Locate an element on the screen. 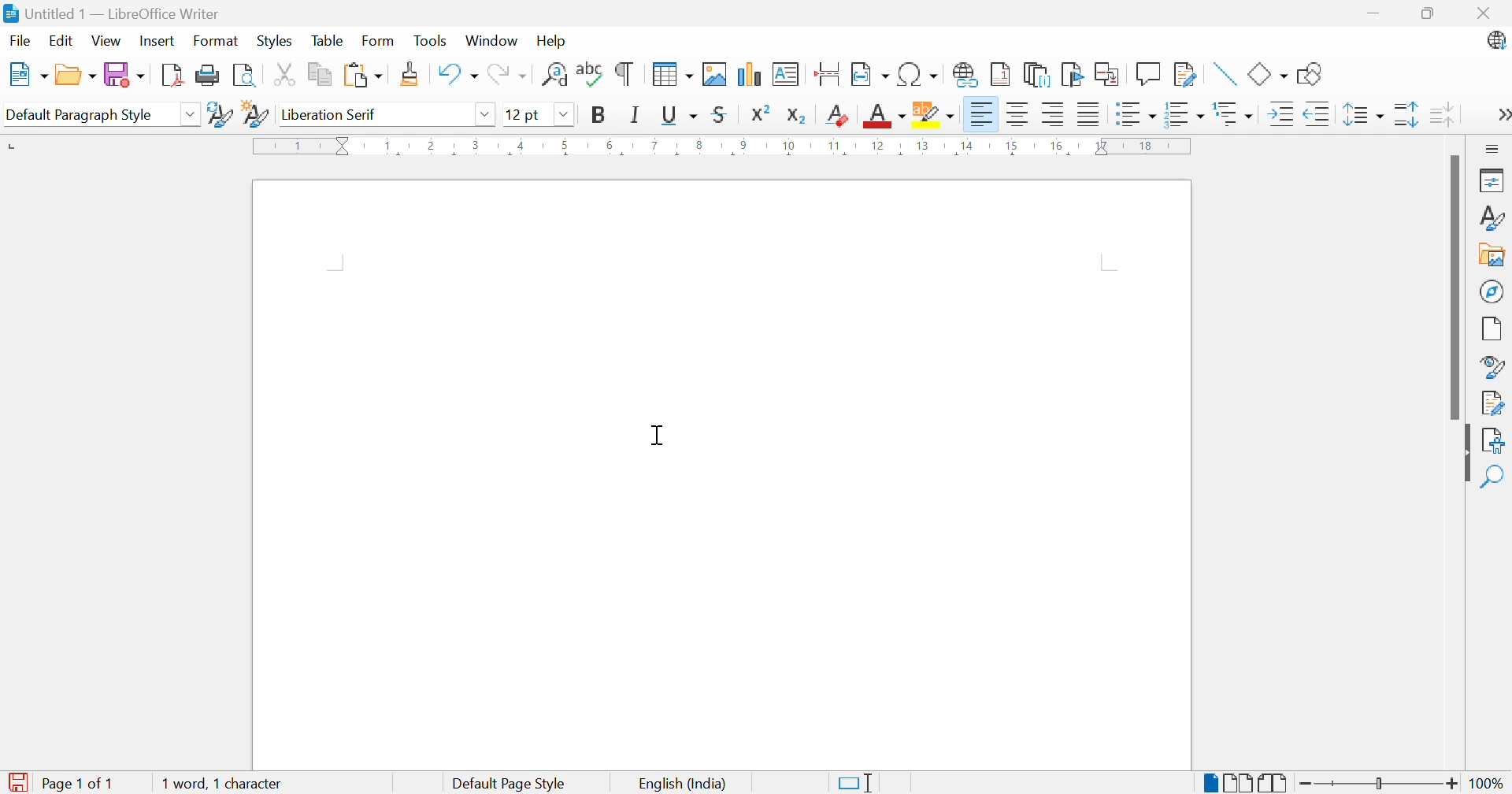 The image size is (1512, 794). File is located at coordinates (22, 41).